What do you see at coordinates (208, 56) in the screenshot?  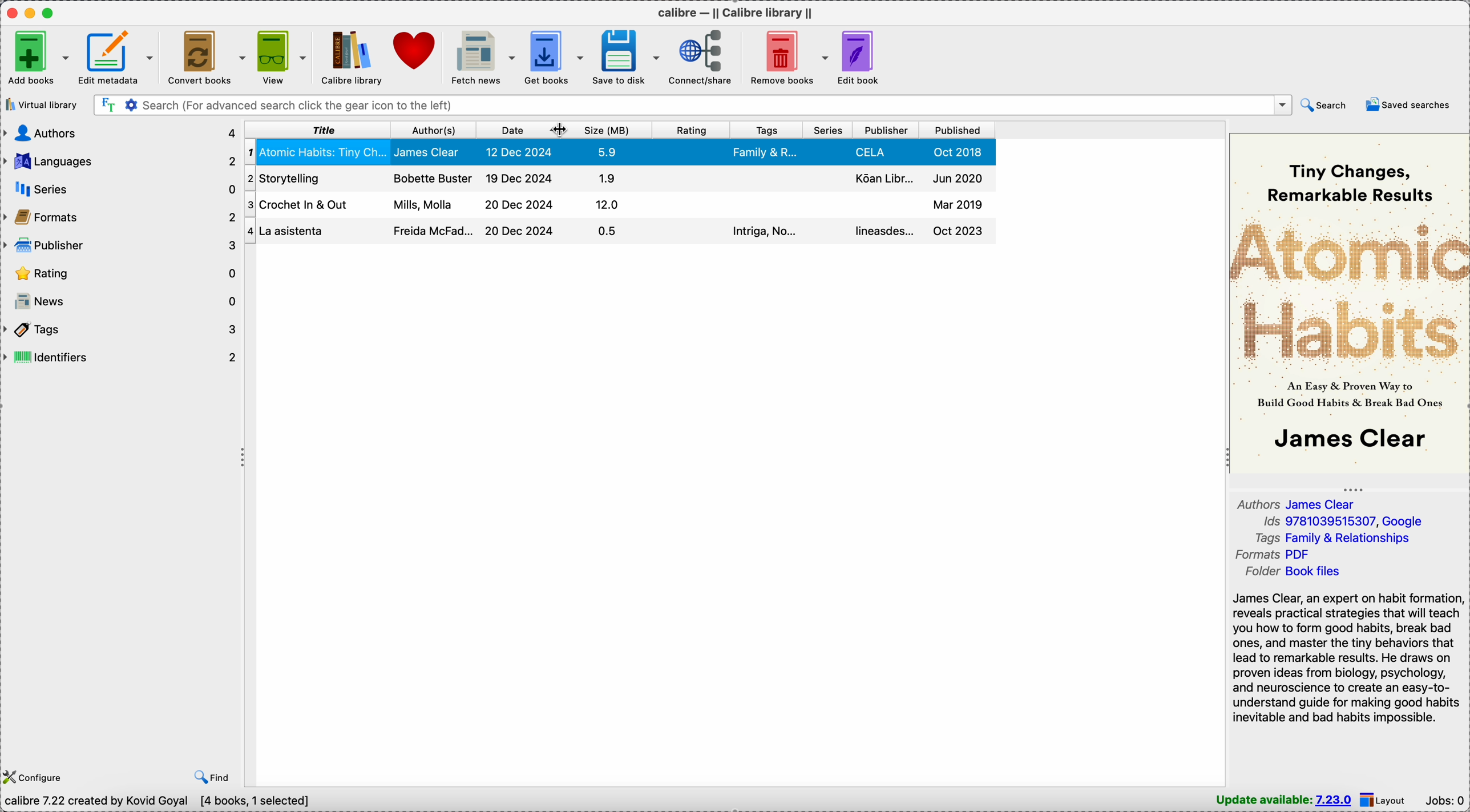 I see `convert books` at bounding box center [208, 56].